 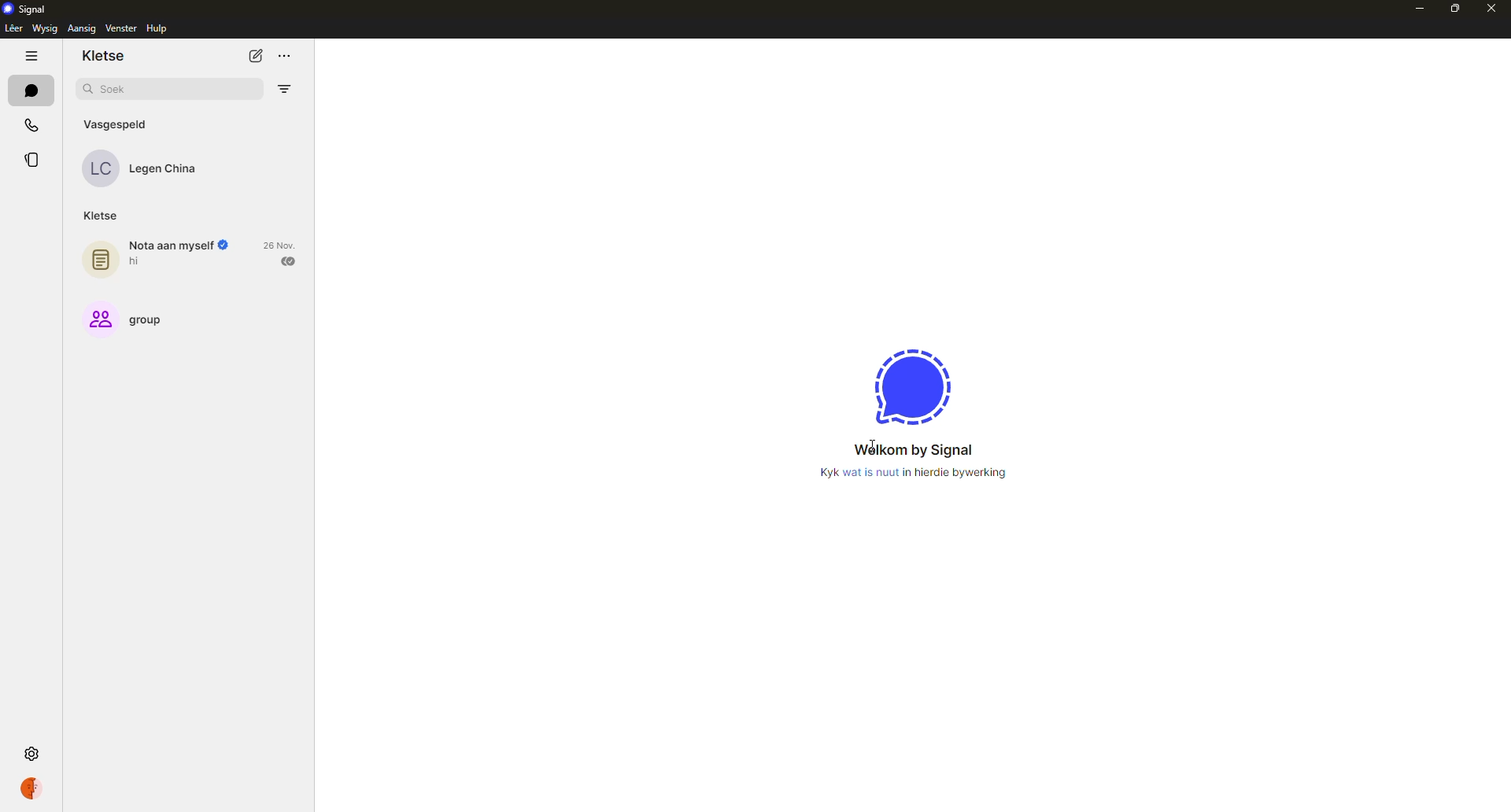 I want to click on kletse, so click(x=105, y=56).